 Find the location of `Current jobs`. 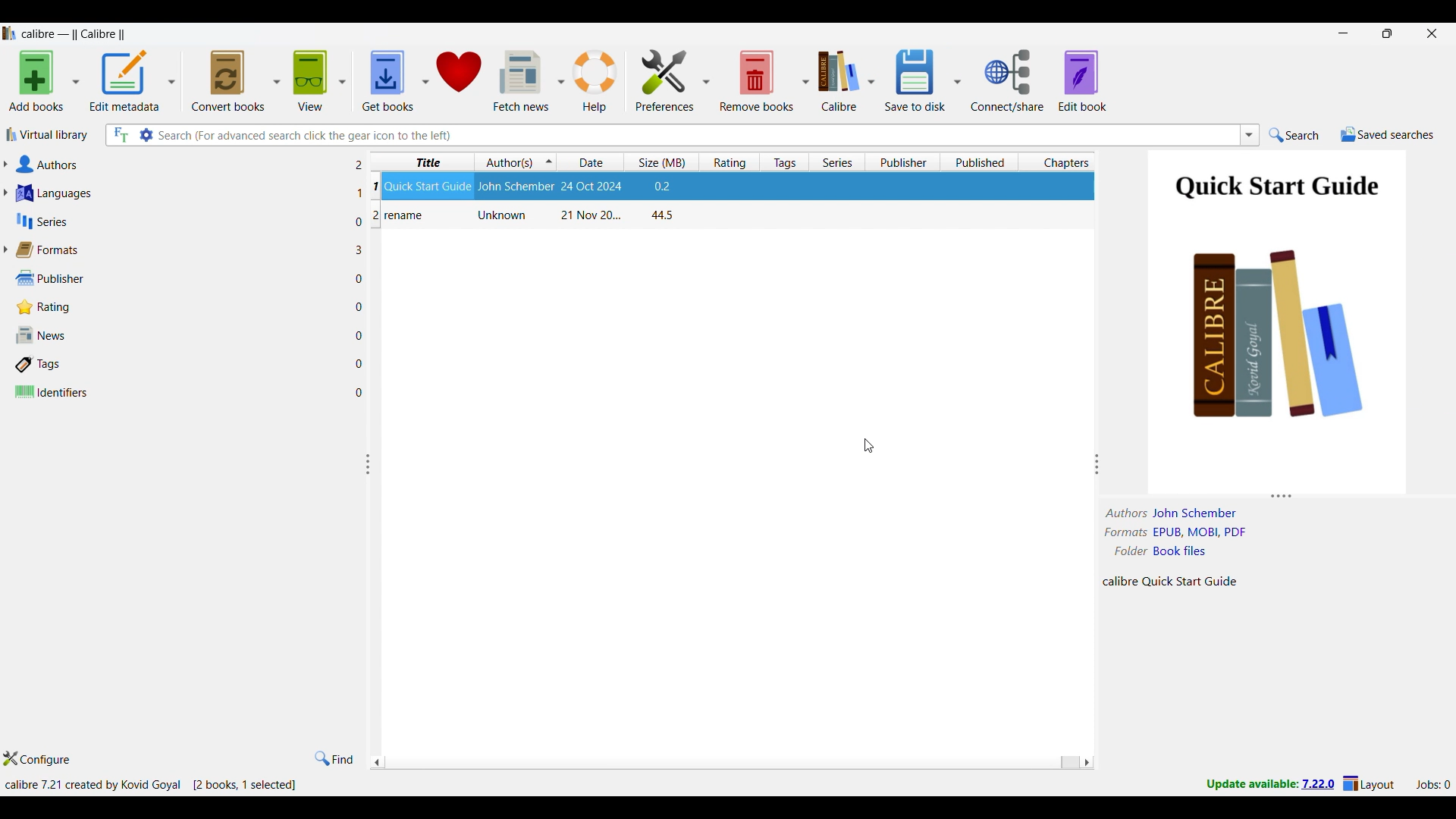

Current jobs is located at coordinates (1432, 785).